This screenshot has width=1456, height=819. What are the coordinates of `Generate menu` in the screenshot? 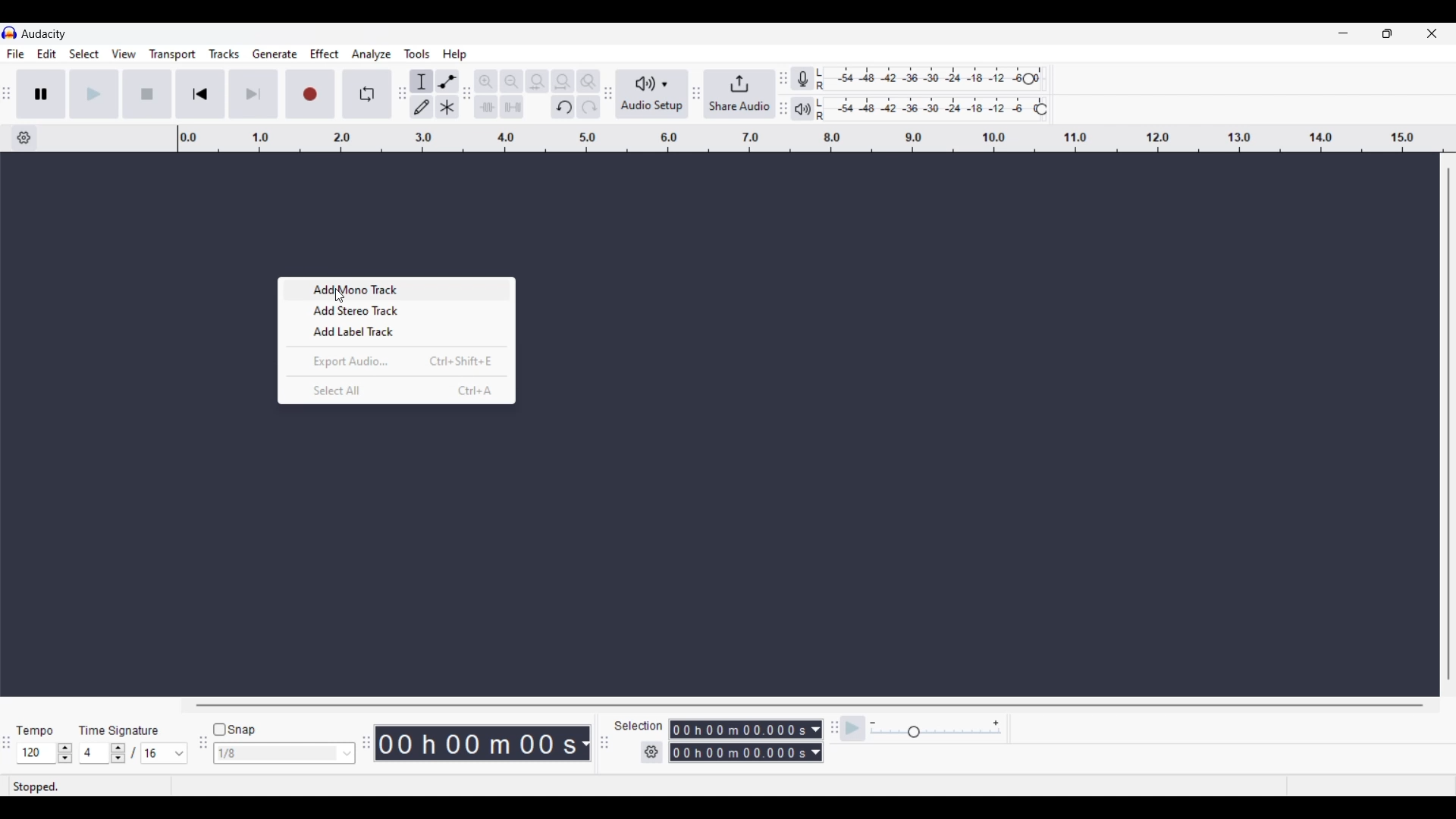 It's located at (275, 54).